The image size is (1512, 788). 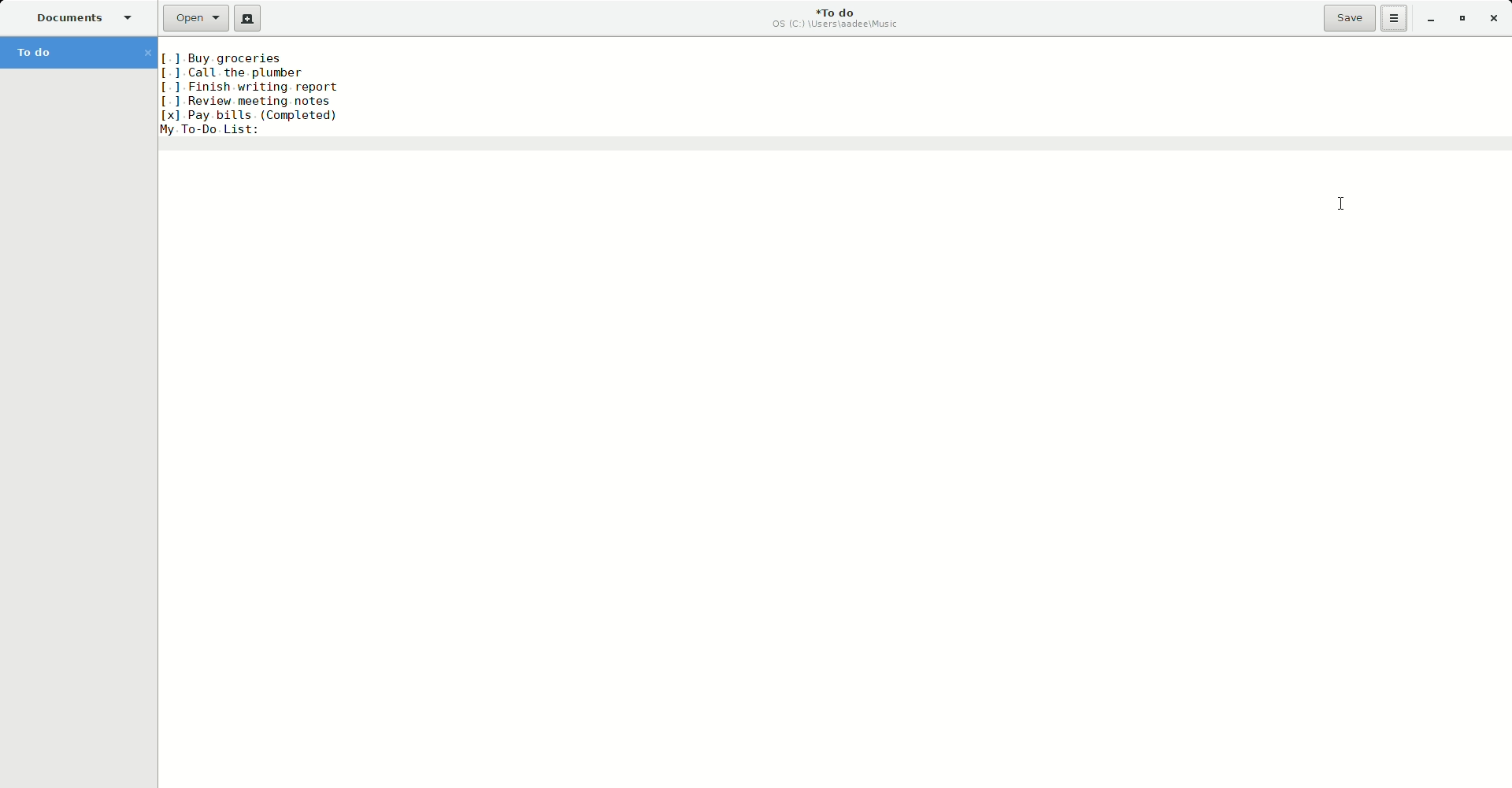 What do you see at coordinates (1351, 19) in the screenshot?
I see `Save` at bounding box center [1351, 19].